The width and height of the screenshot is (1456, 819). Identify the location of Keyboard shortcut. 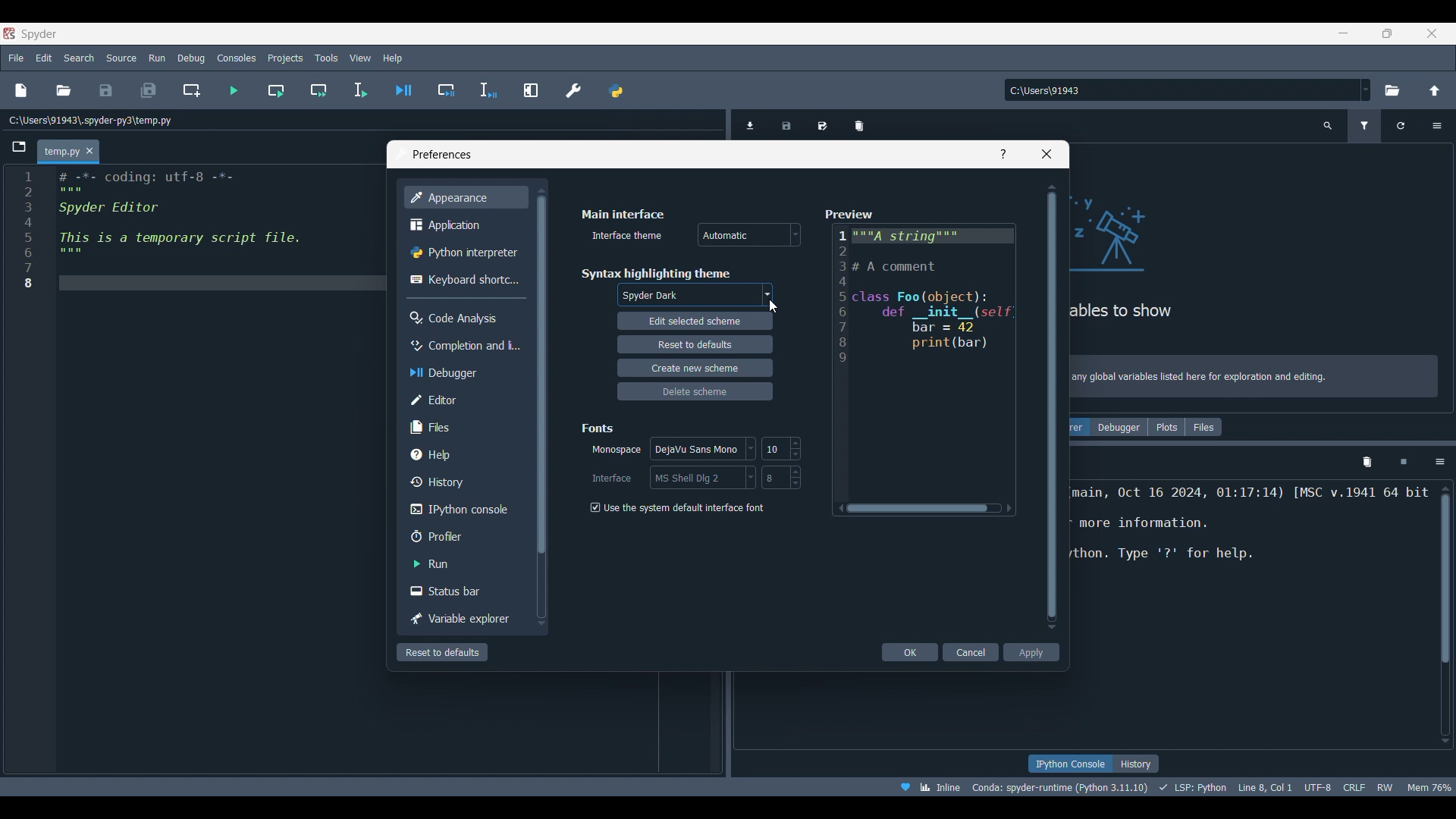
(464, 280).